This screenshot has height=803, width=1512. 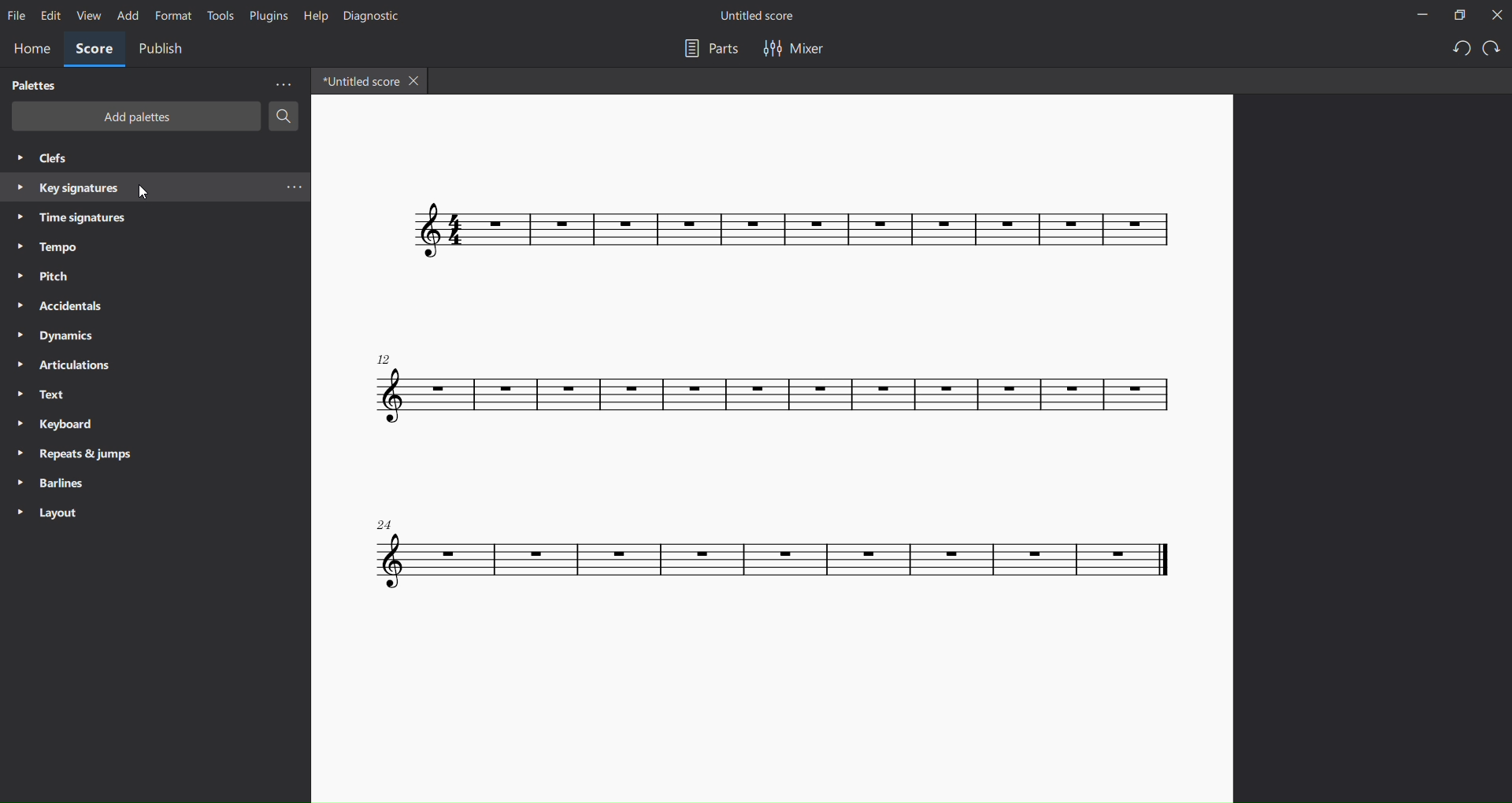 What do you see at coordinates (1421, 13) in the screenshot?
I see `minimize` at bounding box center [1421, 13].